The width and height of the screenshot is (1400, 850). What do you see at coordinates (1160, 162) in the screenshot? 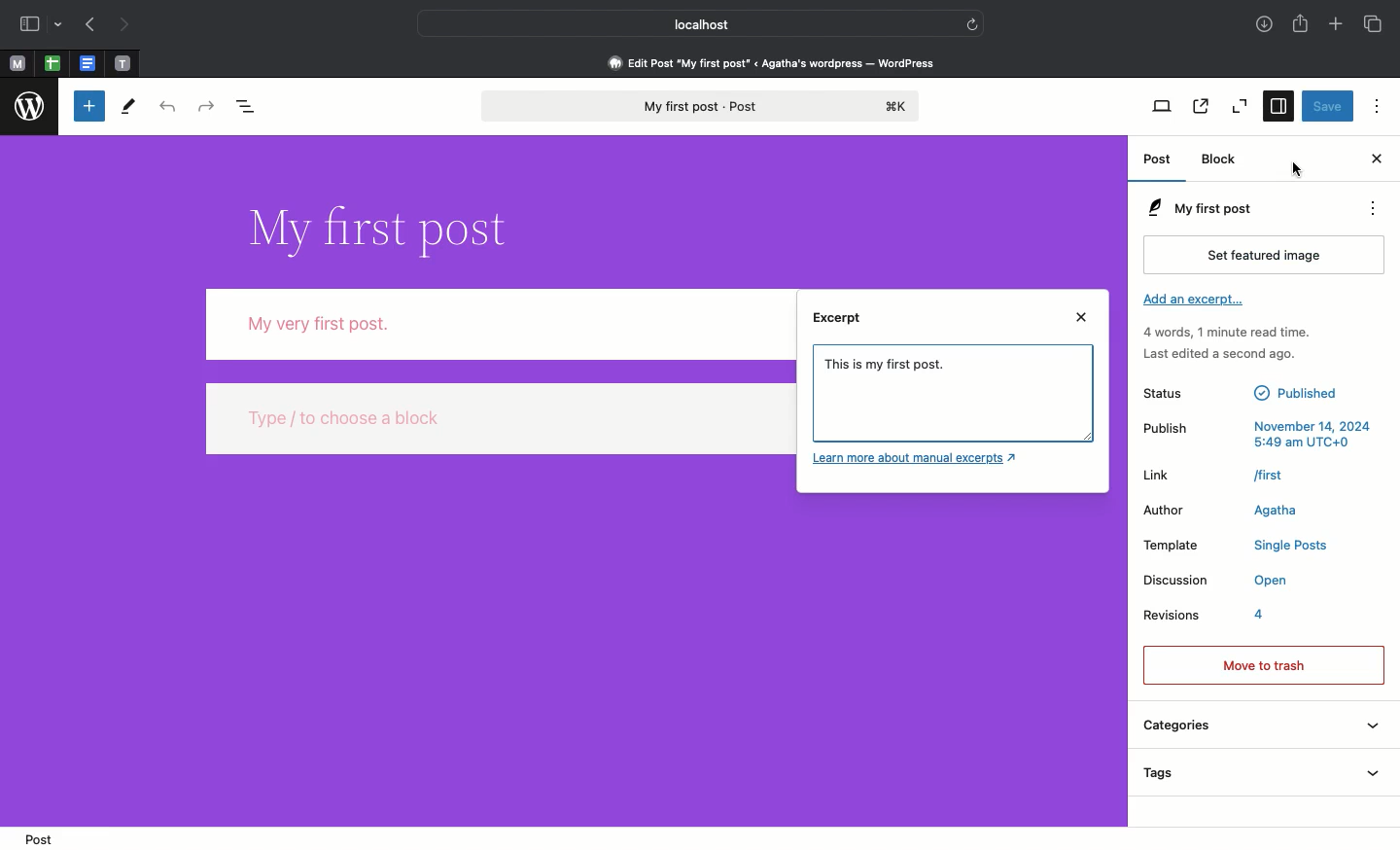
I see `Post` at bounding box center [1160, 162].